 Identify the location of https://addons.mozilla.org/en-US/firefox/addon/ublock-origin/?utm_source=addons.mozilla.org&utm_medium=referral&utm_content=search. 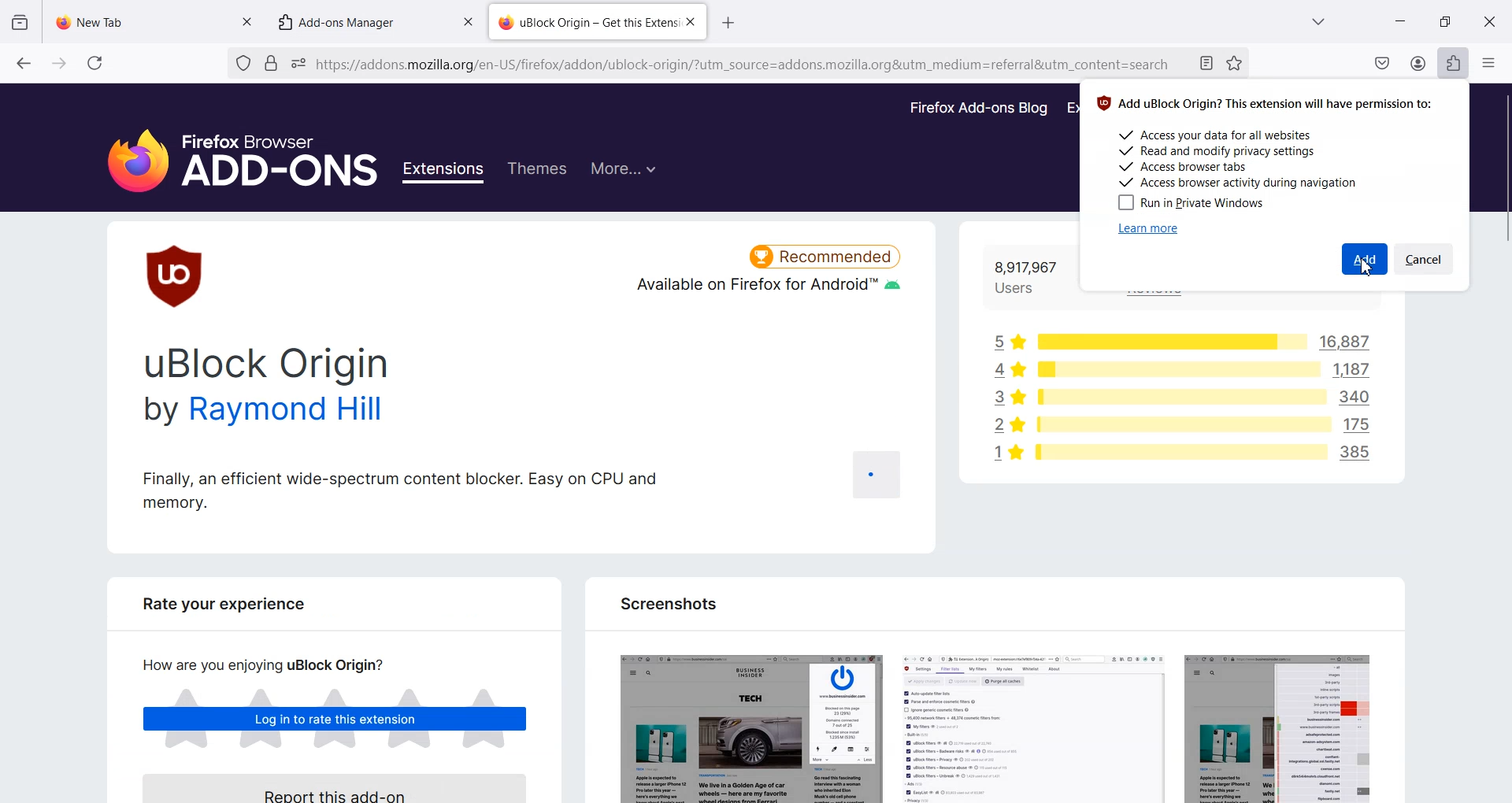
(745, 67).